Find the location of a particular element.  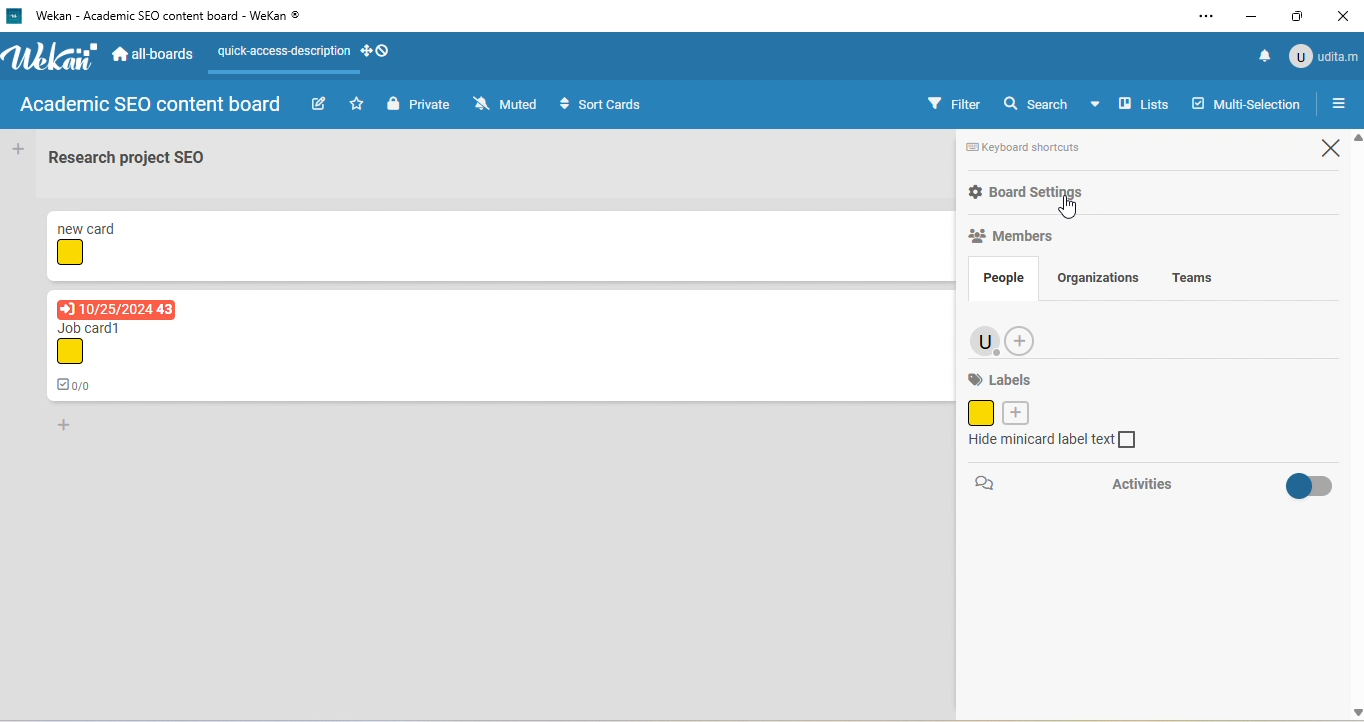

yellow shape is located at coordinates (72, 254).